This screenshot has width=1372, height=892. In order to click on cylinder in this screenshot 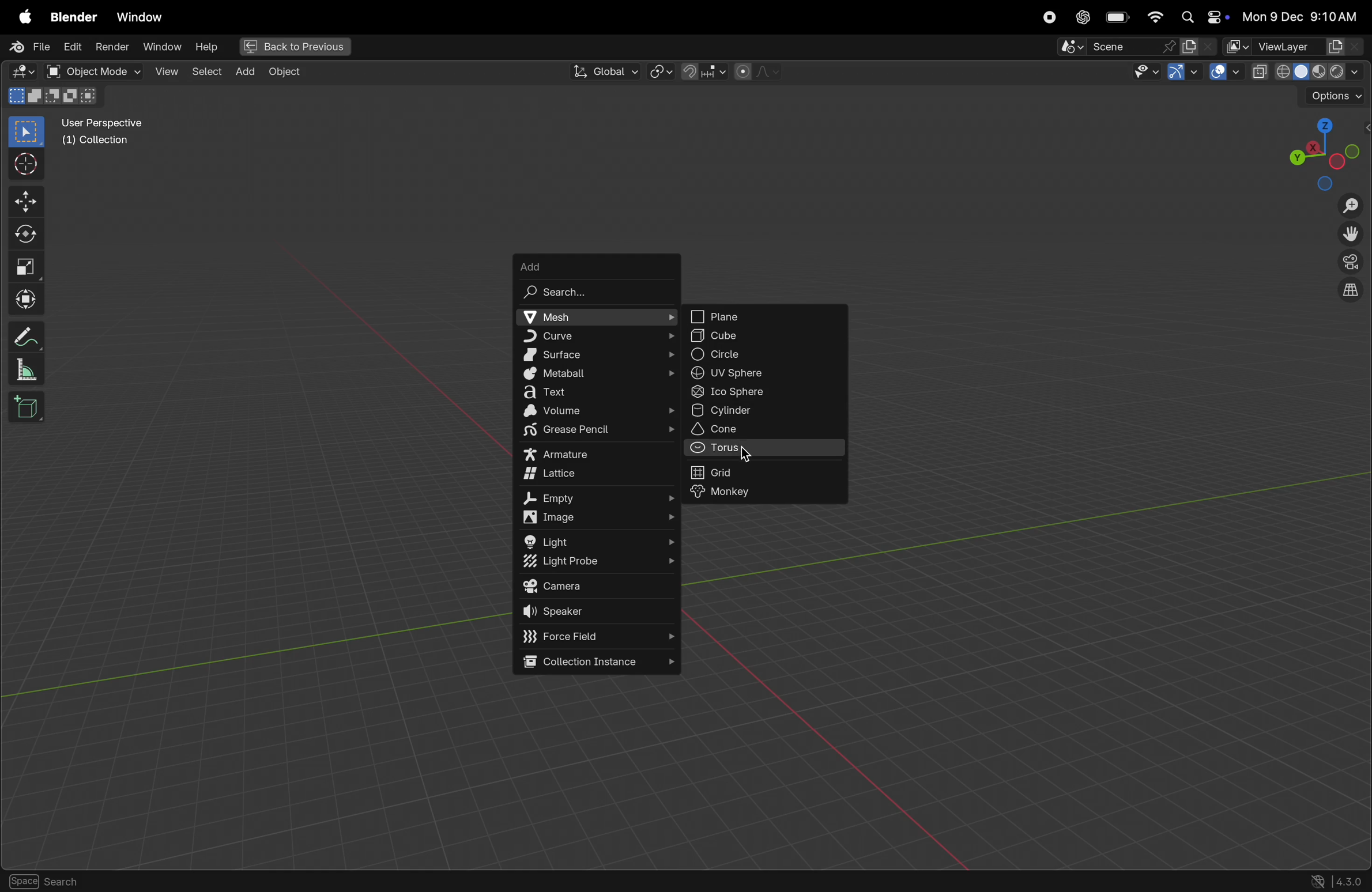, I will do `click(765, 411)`.